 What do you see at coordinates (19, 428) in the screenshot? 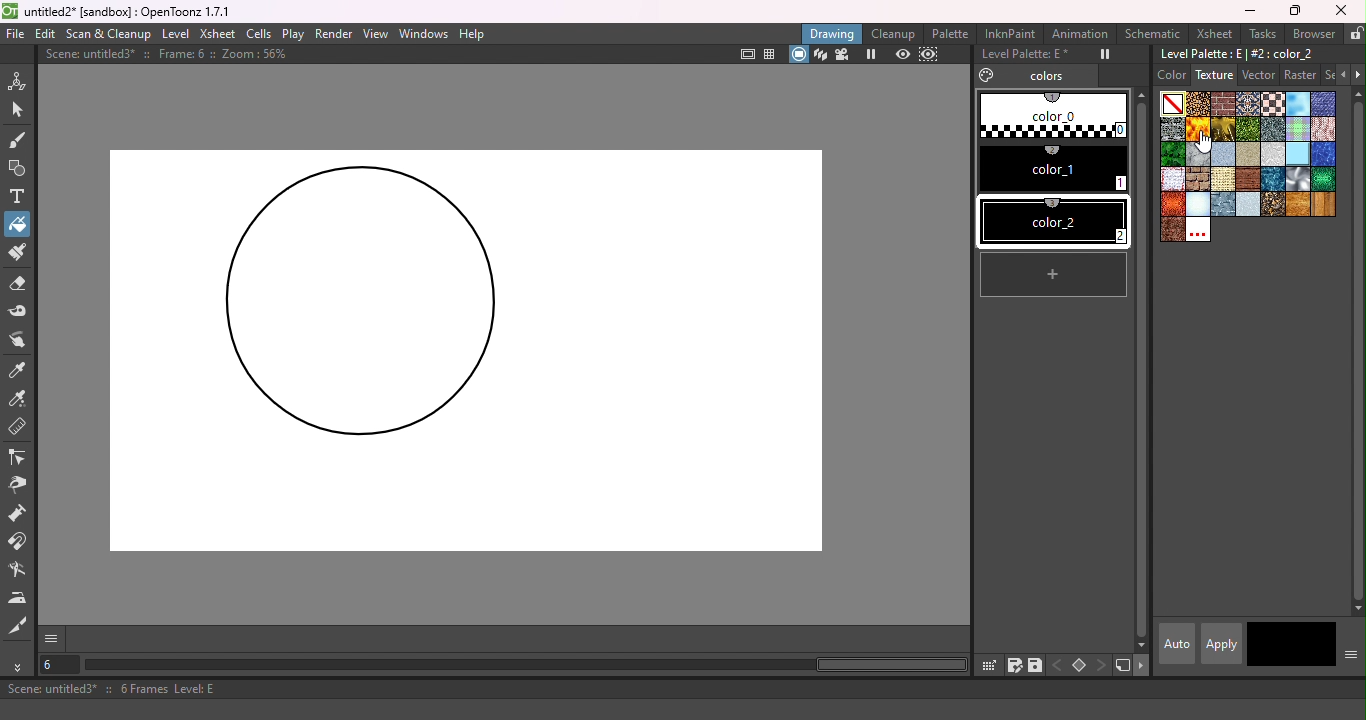
I see `Ruler tool` at bounding box center [19, 428].